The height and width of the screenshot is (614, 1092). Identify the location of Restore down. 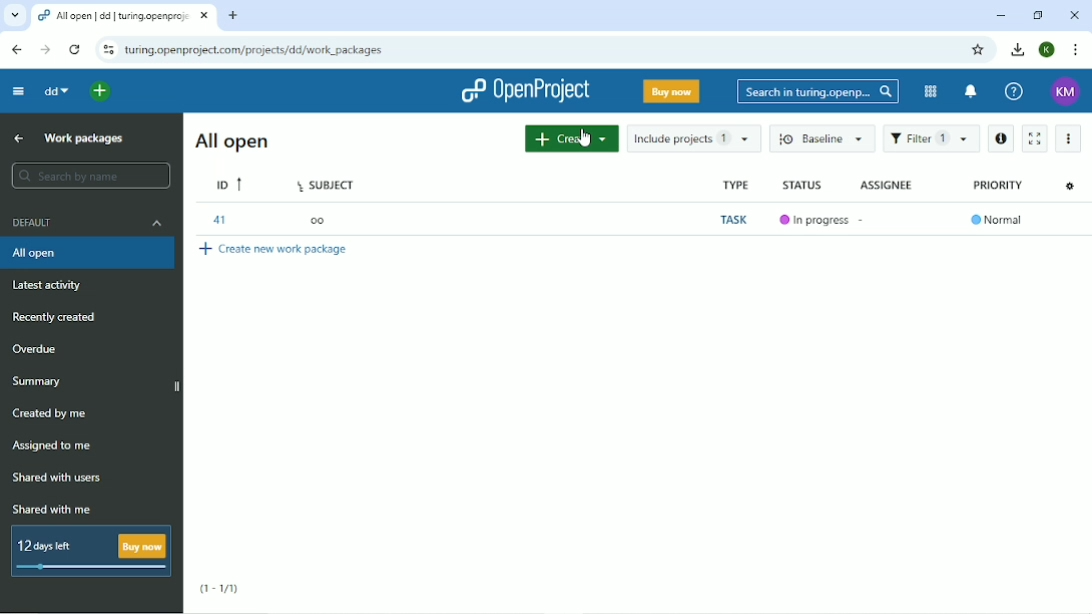
(1039, 16).